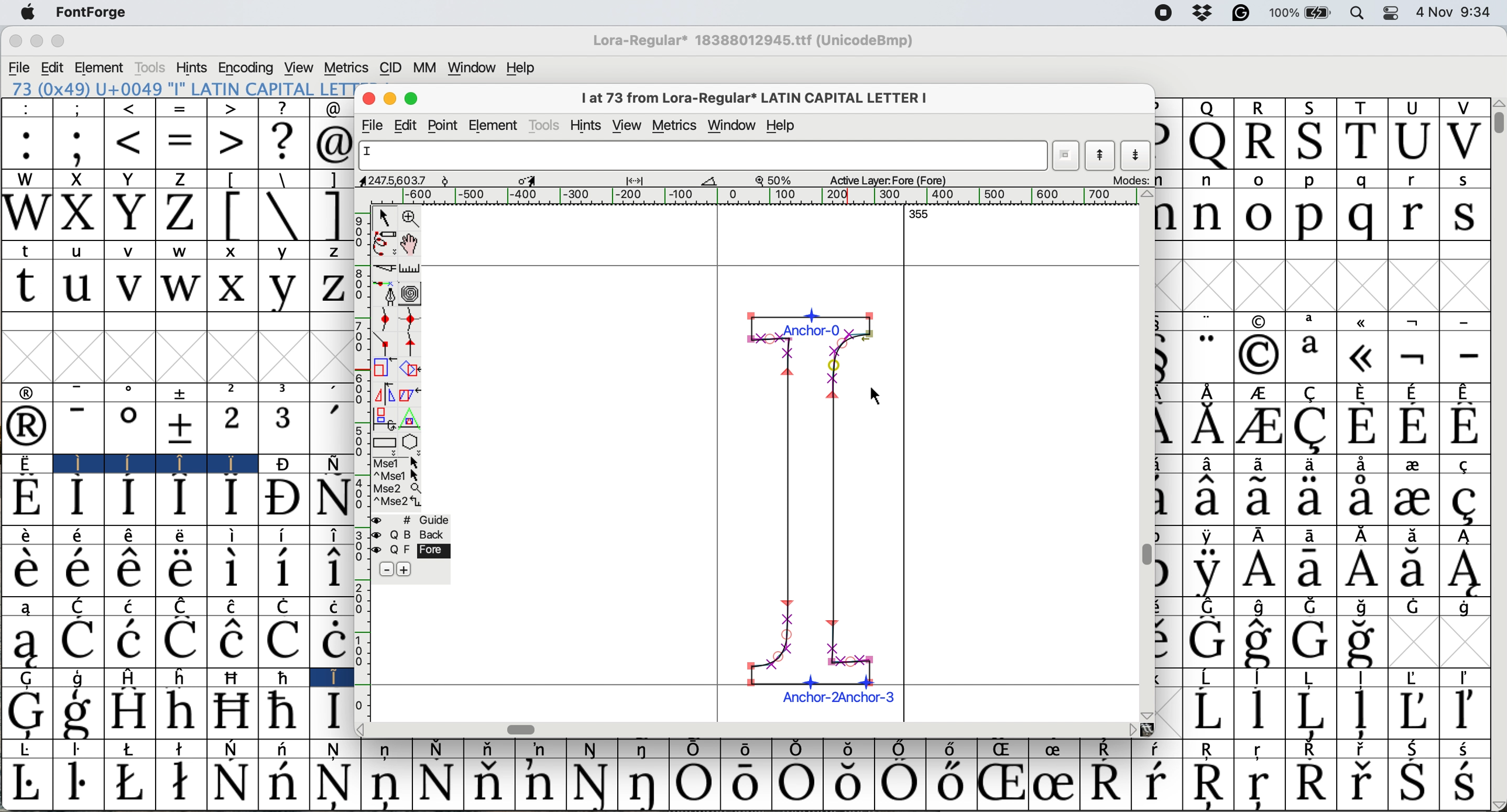 The height and width of the screenshot is (812, 1507). I want to click on hint, so click(586, 125).